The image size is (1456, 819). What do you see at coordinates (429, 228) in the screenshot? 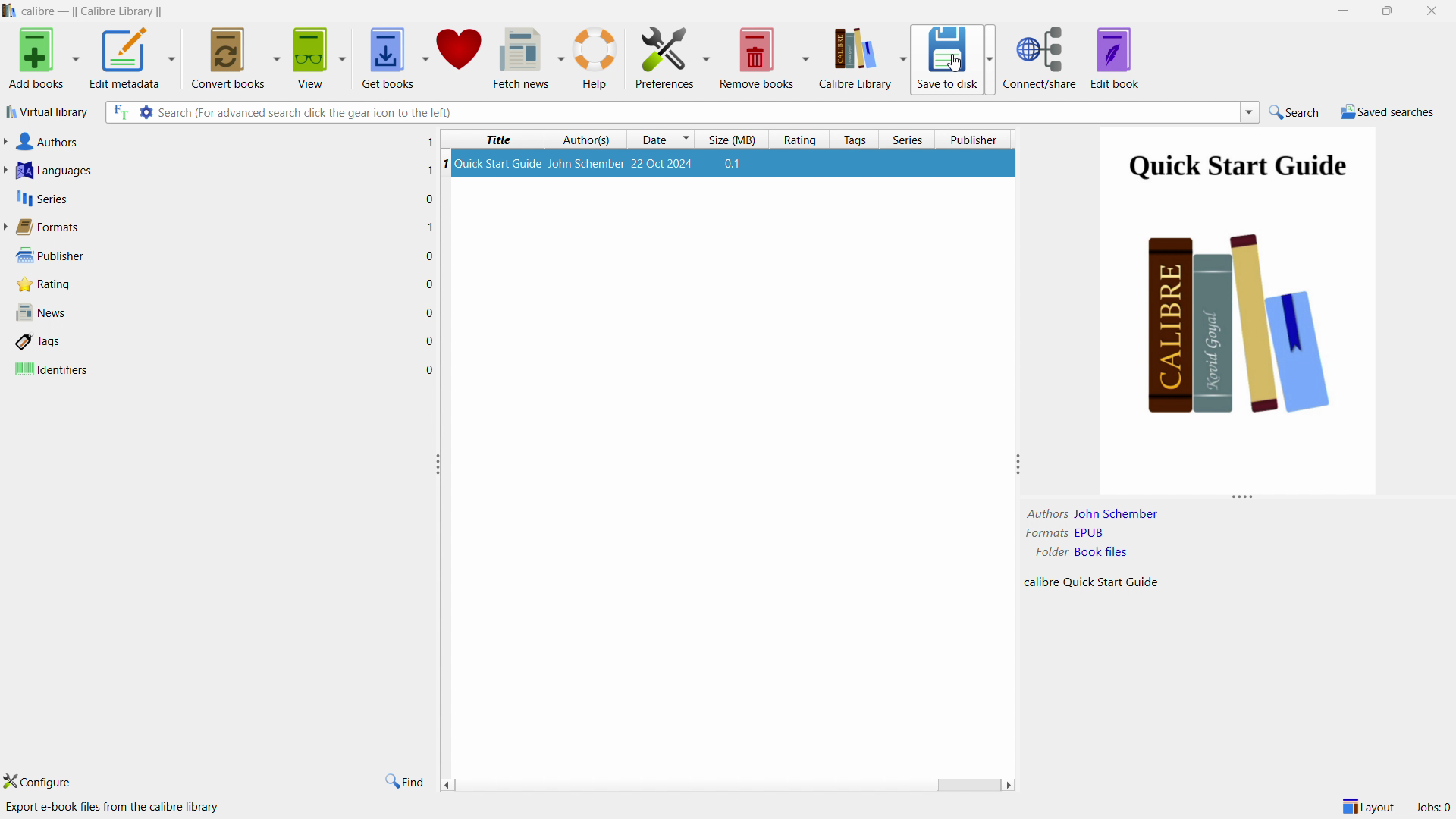
I see `1` at bounding box center [429, 228].